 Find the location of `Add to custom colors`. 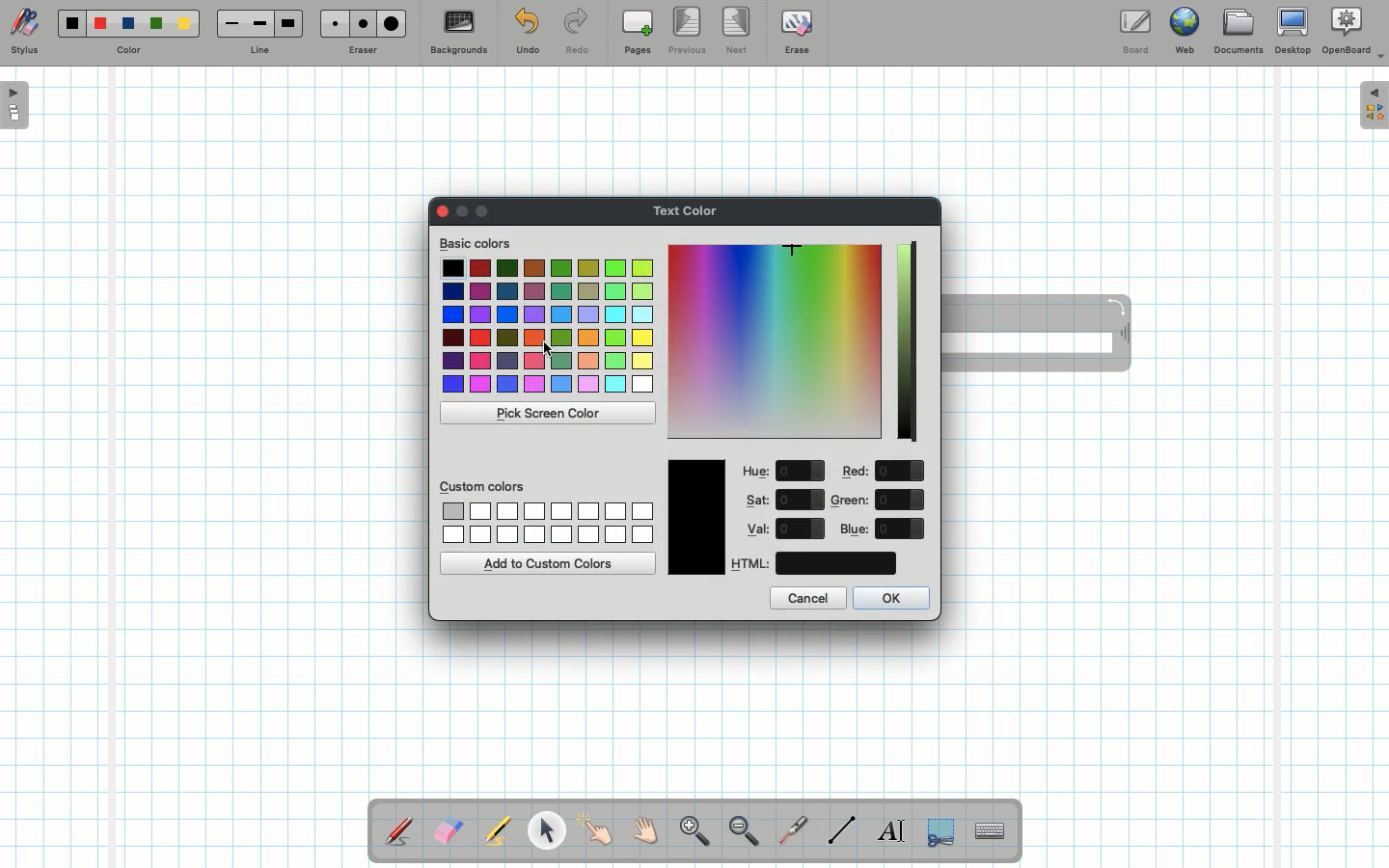

Add to custom colors is located at coordinates (549, 563).